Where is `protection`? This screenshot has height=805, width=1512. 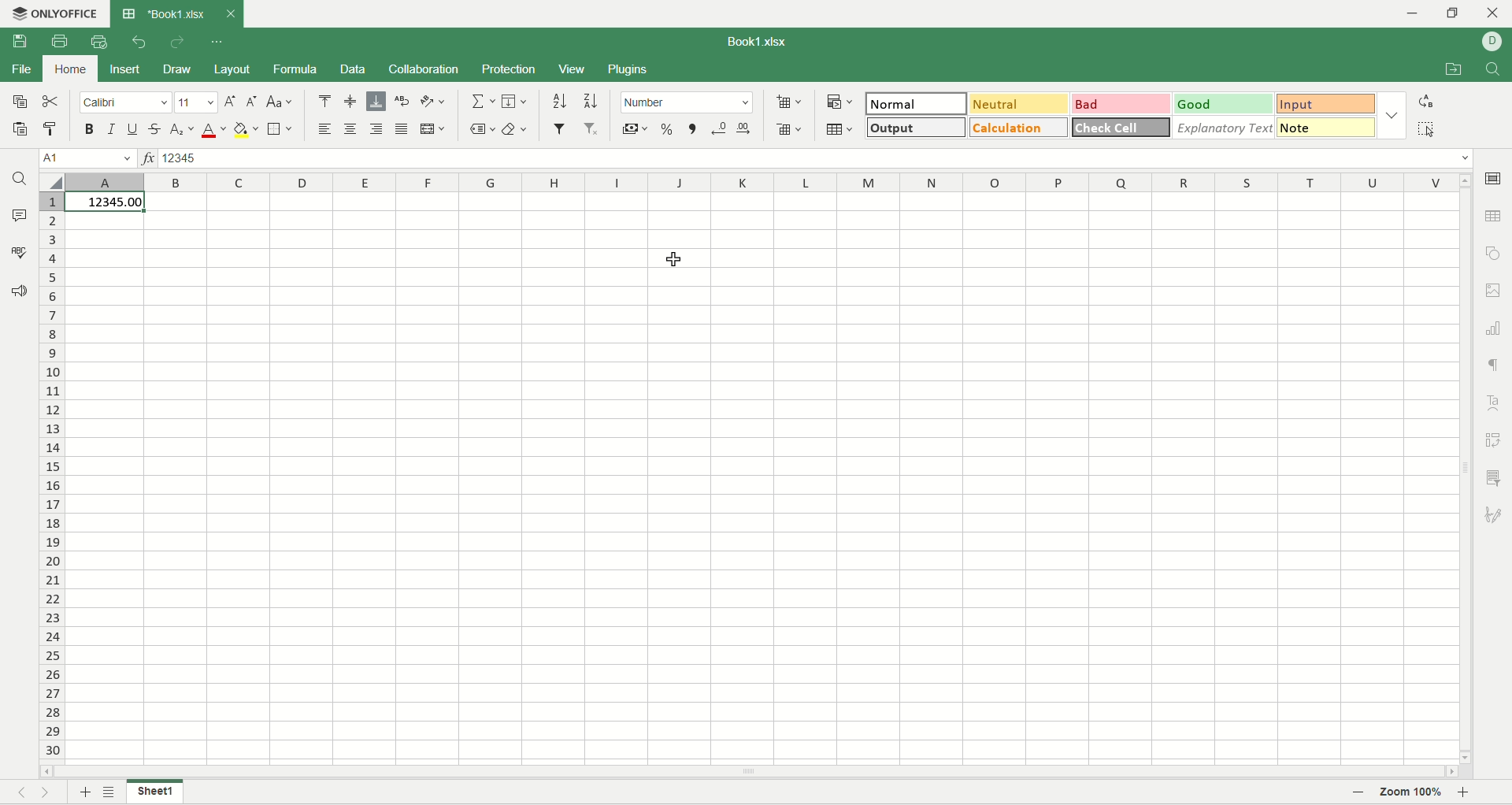
protection is located at coordinates (507, 69).